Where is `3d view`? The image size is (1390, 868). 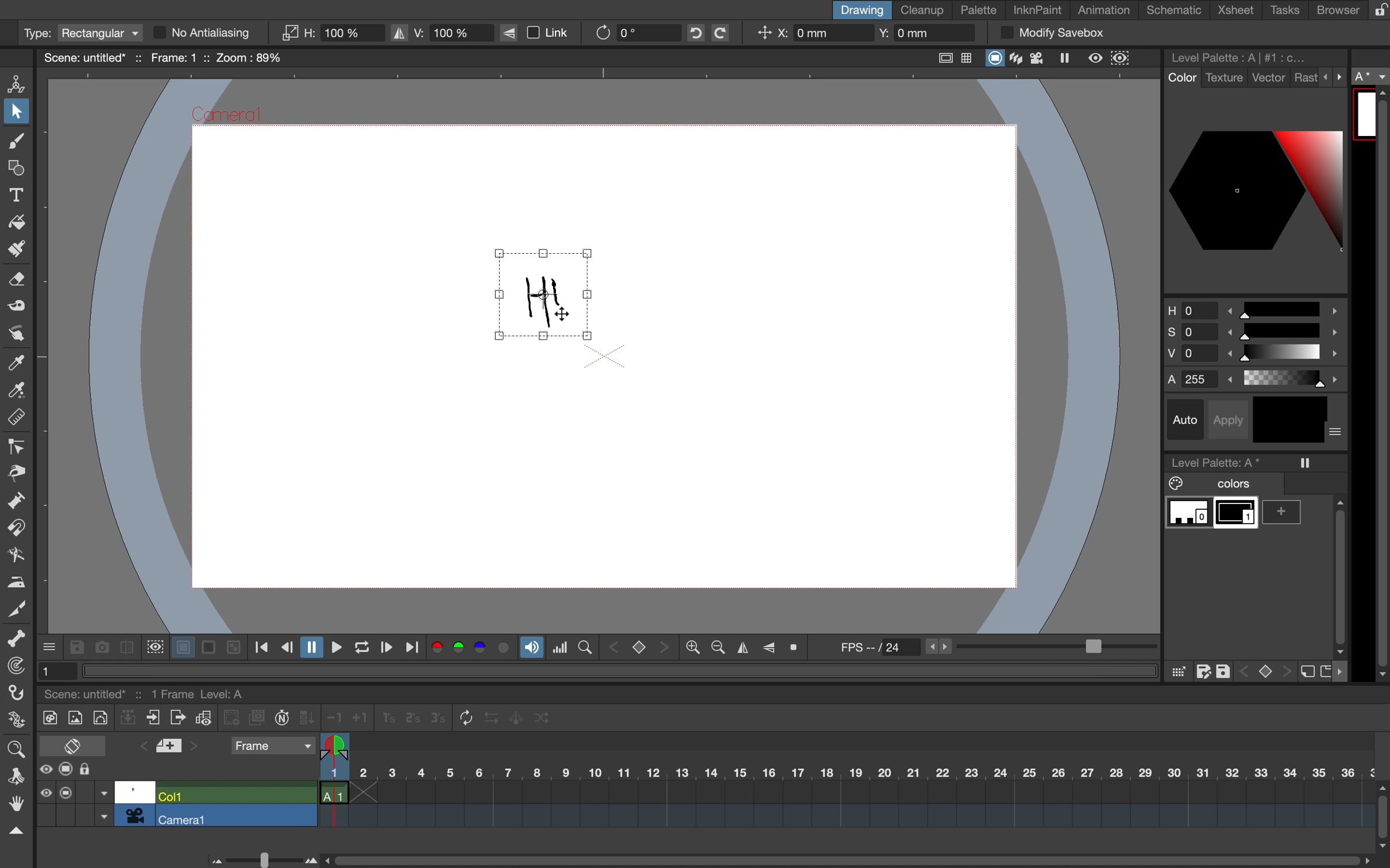 3d view is located at coordinates (1018, 59).